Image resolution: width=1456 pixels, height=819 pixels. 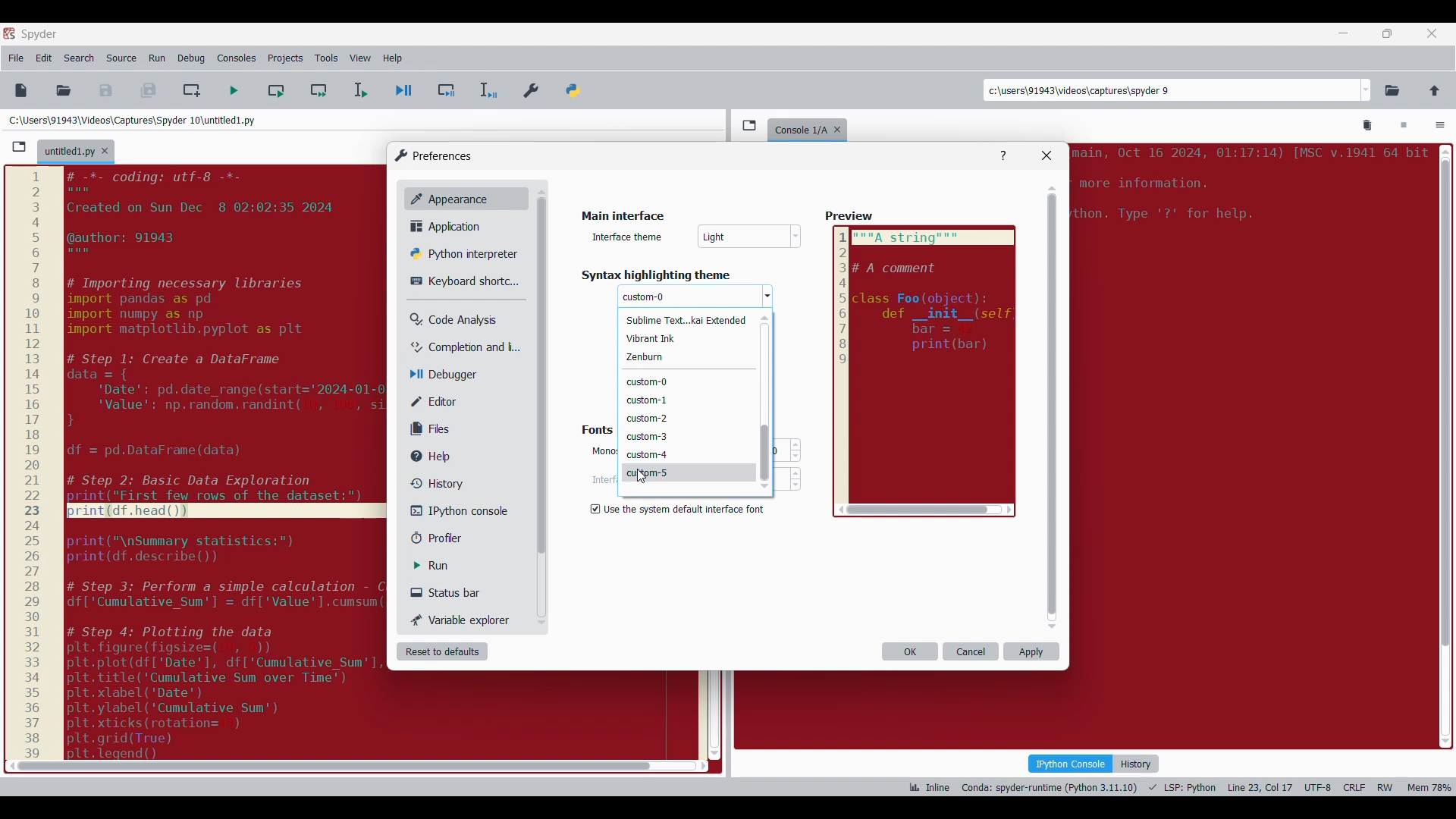 What do you see at coordinates (359, 90) in the screenshot?
I see `Run selection/current line` at bounding box center [359, 90].